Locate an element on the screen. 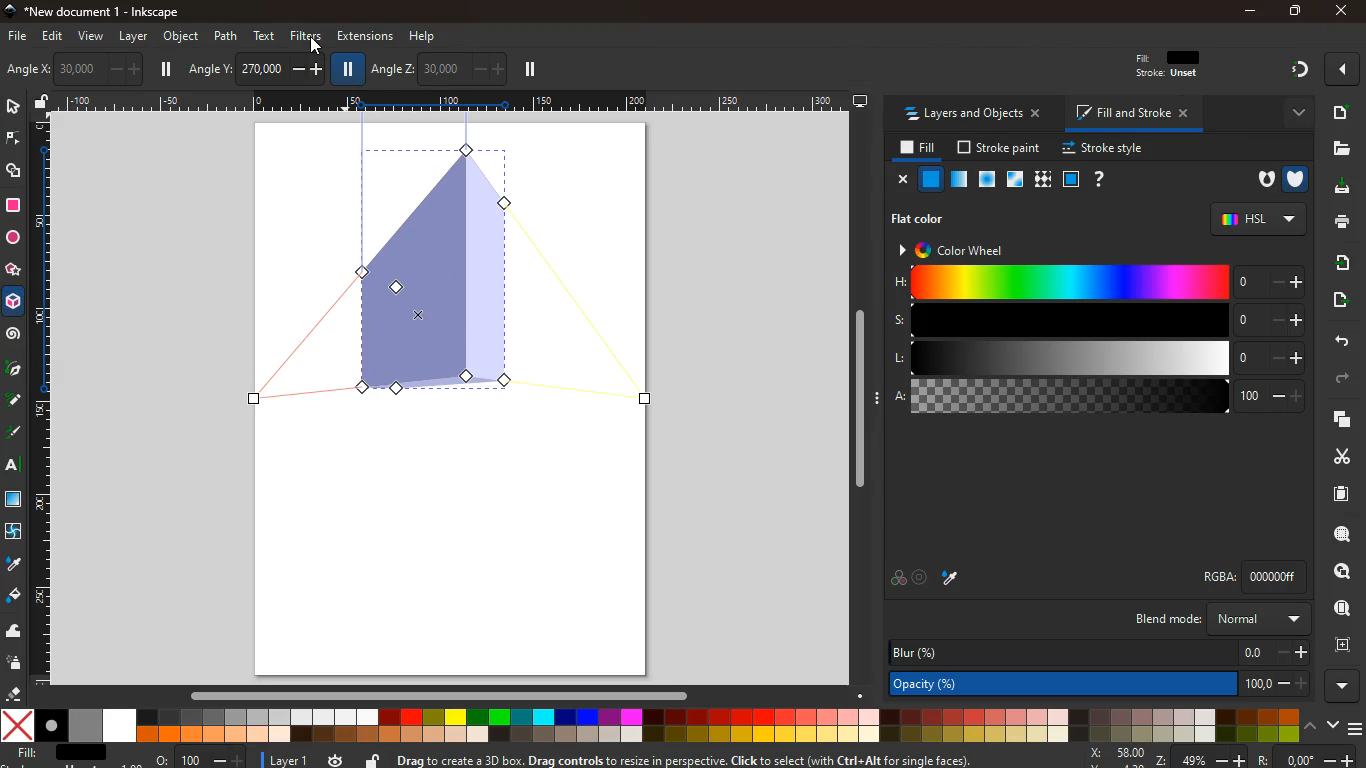 The height and width of the screenshot is (768, 1366). Scale is located at coordinates (447, 101).